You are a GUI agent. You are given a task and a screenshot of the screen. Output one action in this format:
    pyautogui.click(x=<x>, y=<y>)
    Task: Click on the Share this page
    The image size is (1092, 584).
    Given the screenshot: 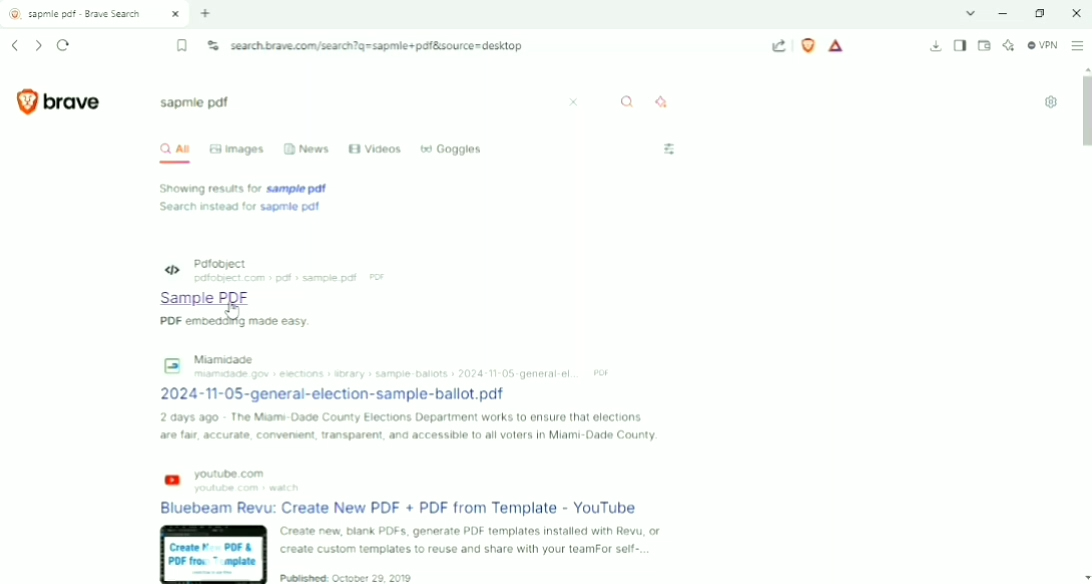 What is the action you would take?
    pyautogui.click(x=779, y=46)
    